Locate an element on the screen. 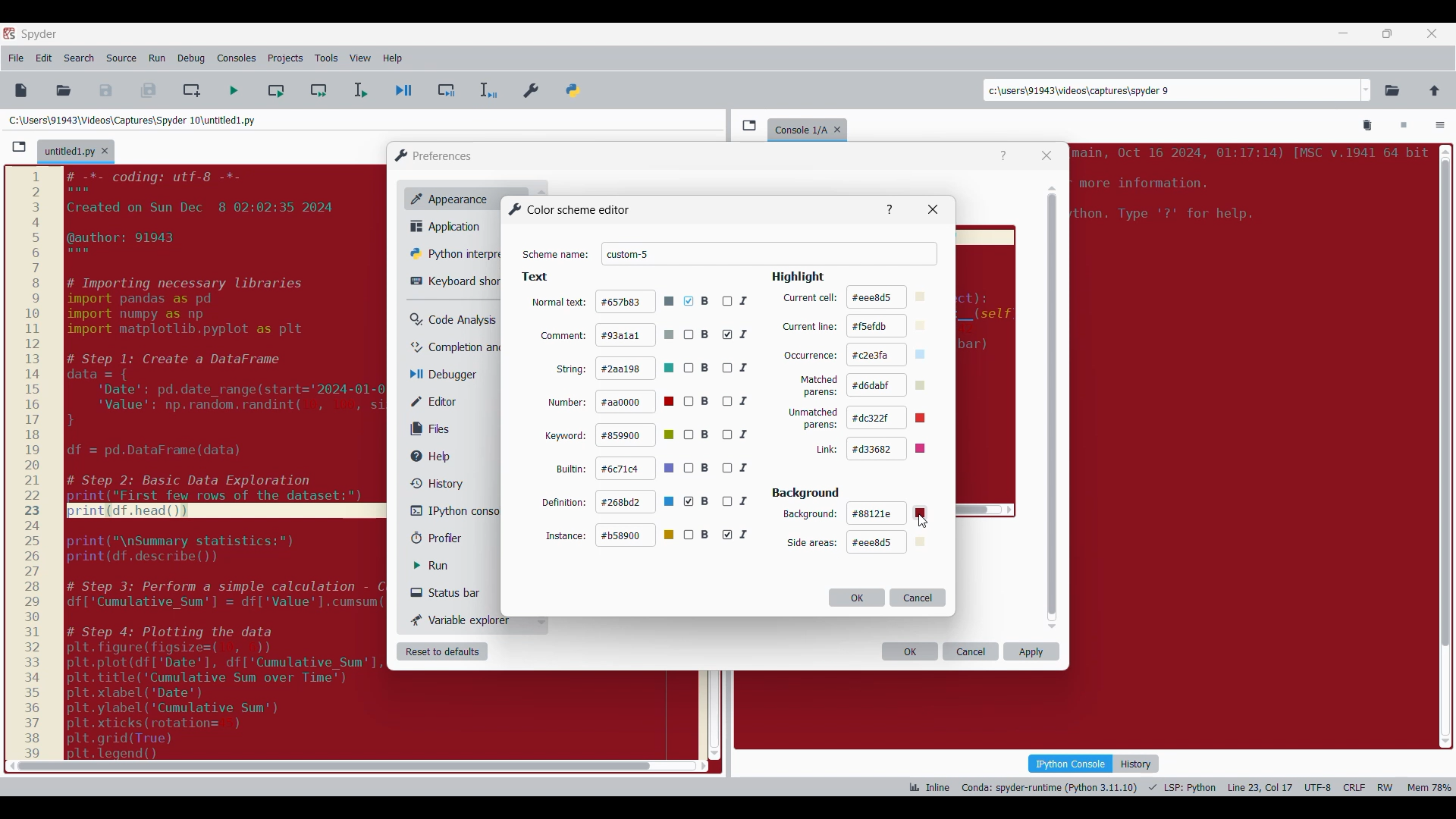 Image resolution: width=1456 pixels, height=819 pixels. I is located at coordinates (739, 469).